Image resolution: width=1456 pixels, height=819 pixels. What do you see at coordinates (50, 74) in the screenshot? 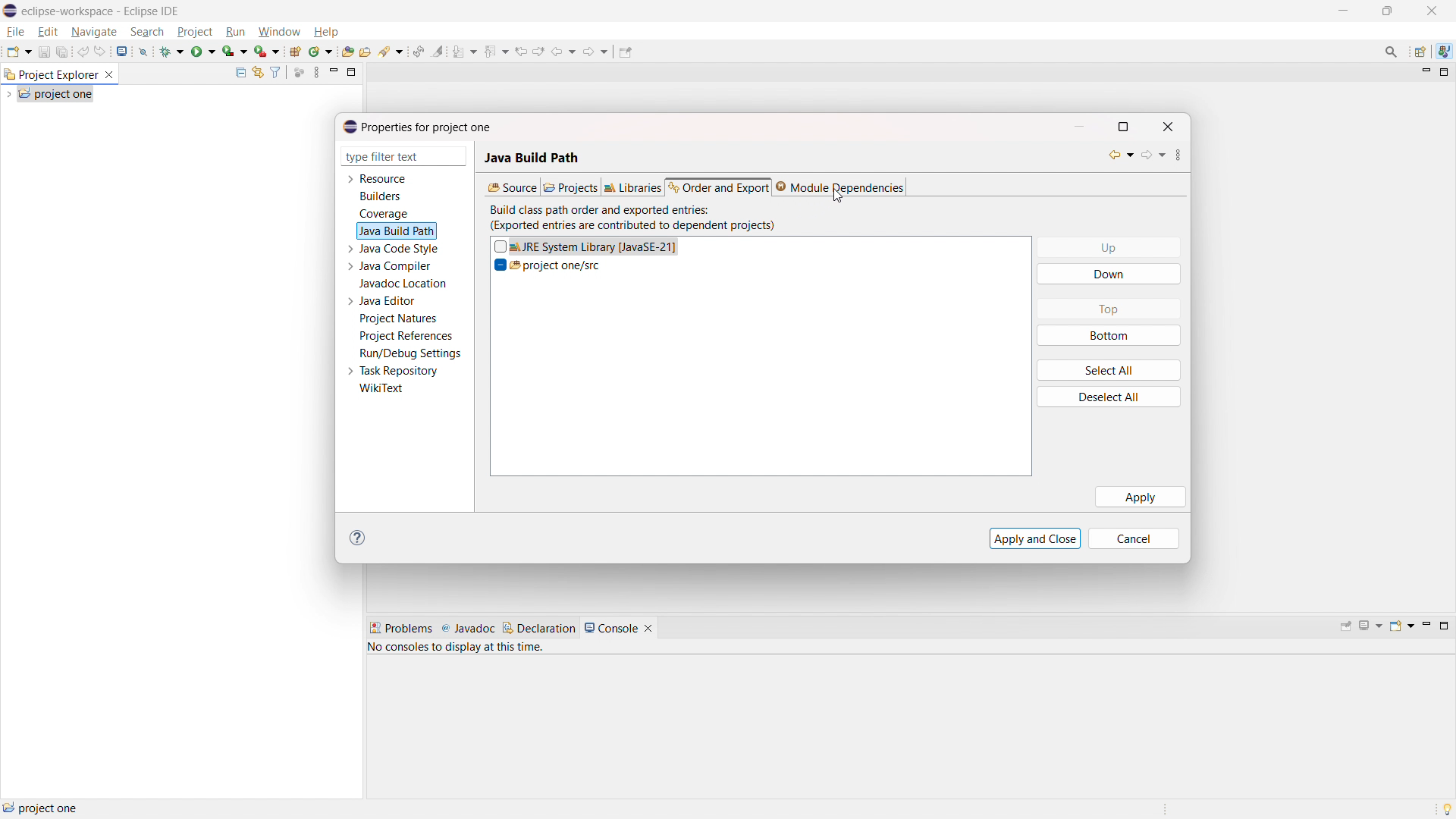
I see `project explorer` at bounding box center [50, 74].